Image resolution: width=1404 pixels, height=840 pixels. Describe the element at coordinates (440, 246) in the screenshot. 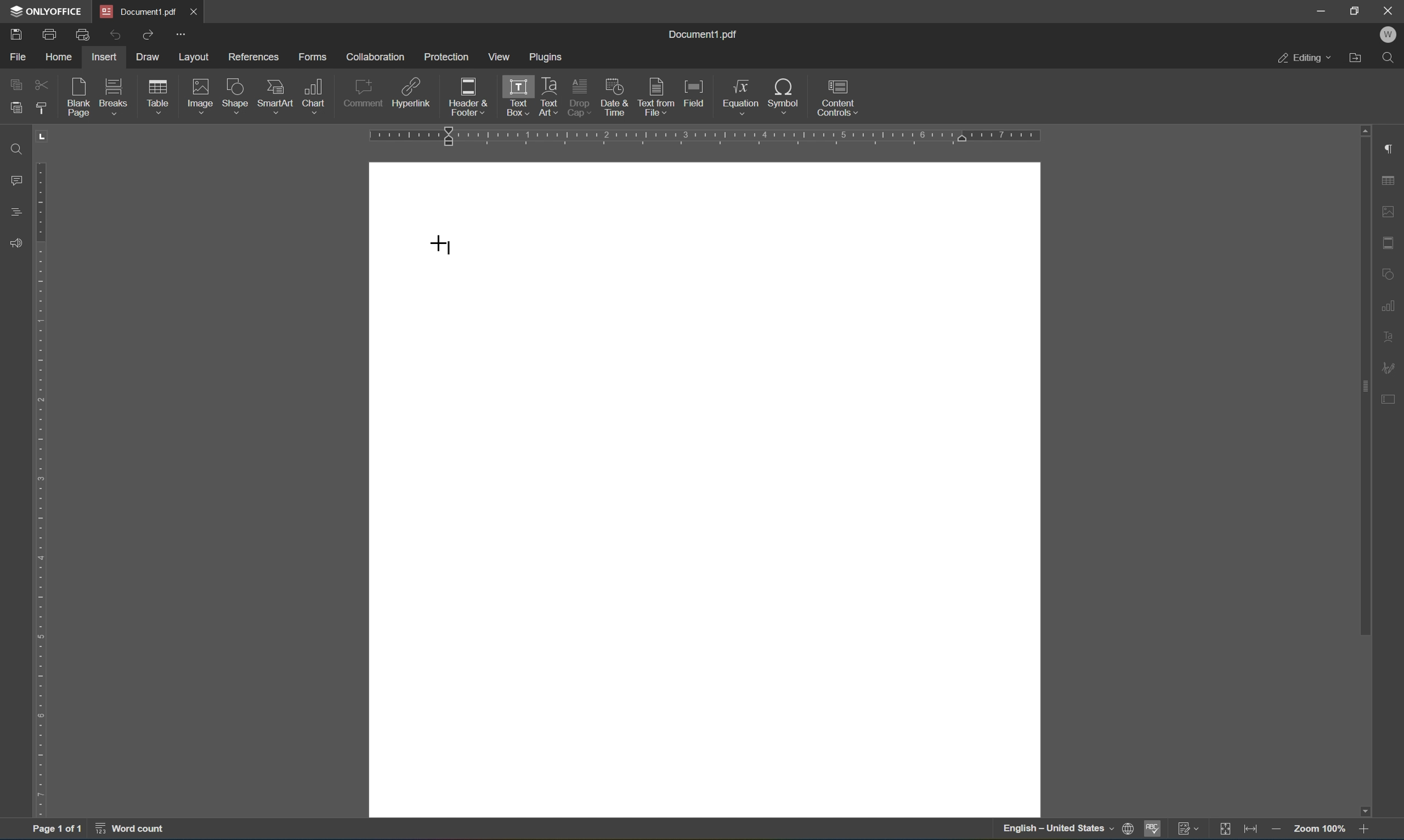

I see `cursor` at that location.